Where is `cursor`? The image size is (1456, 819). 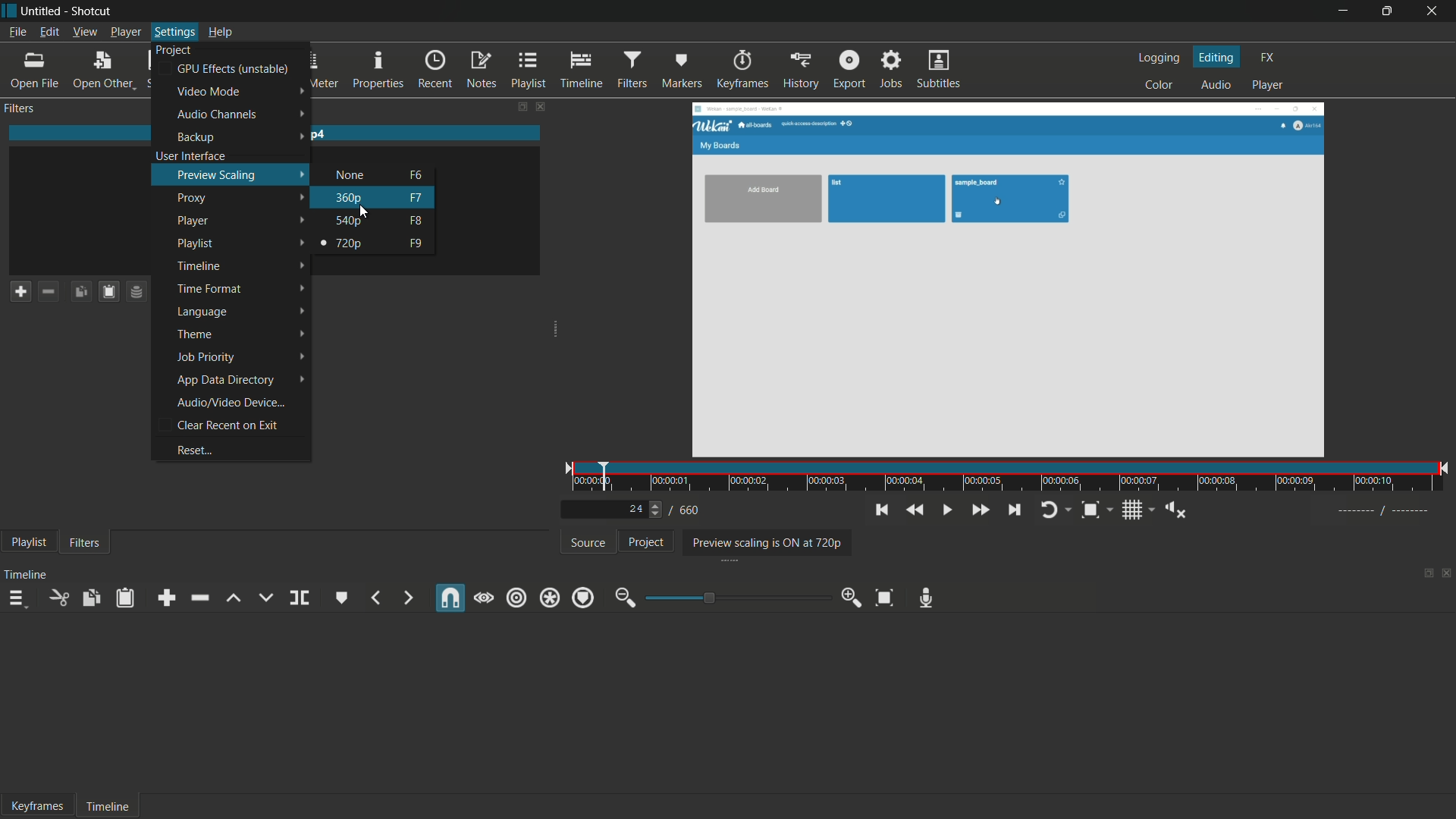 cursor is located at coordinates (365, 212).